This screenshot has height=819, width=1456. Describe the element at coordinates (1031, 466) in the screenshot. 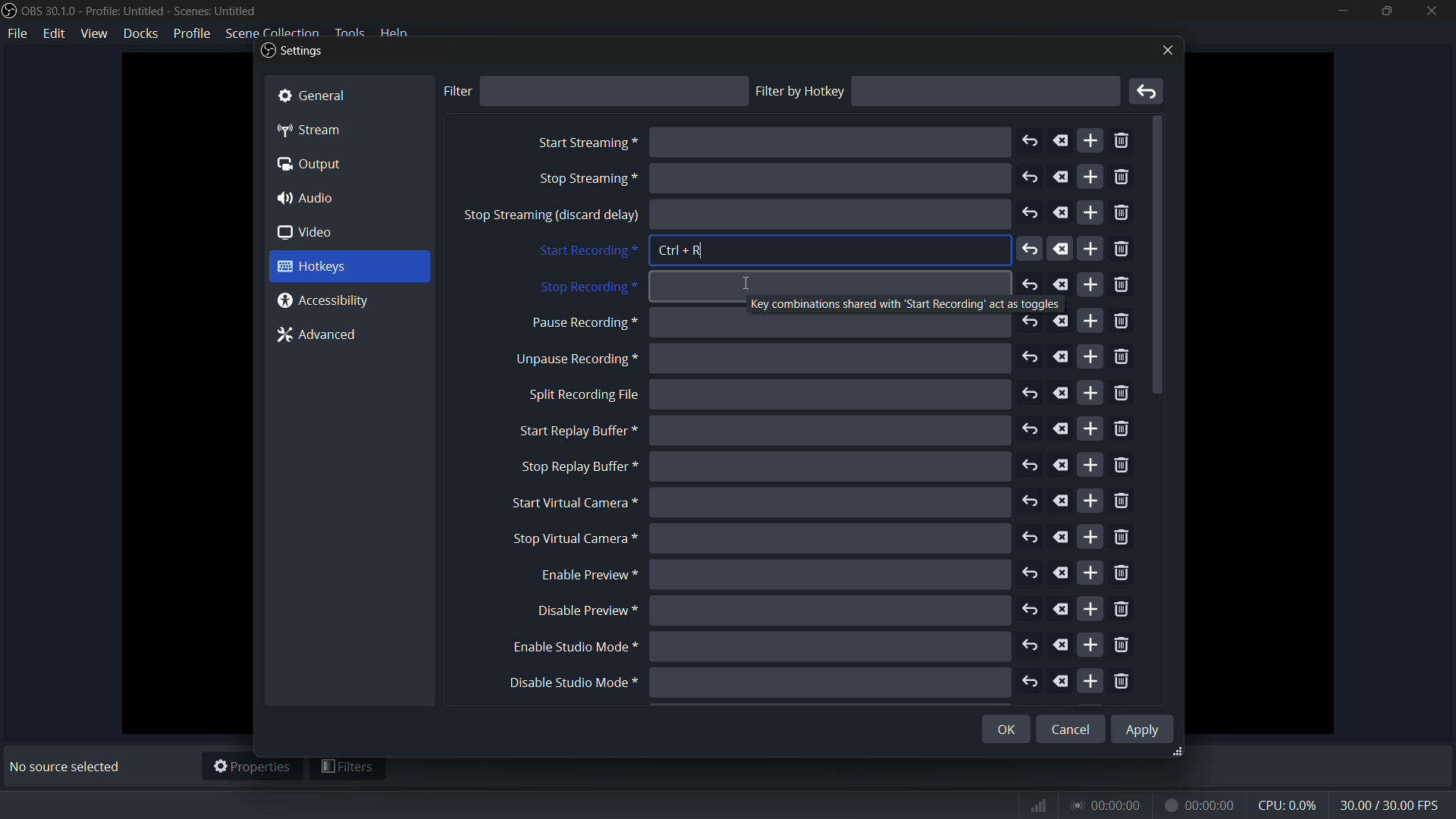

I see `undo` at that location.